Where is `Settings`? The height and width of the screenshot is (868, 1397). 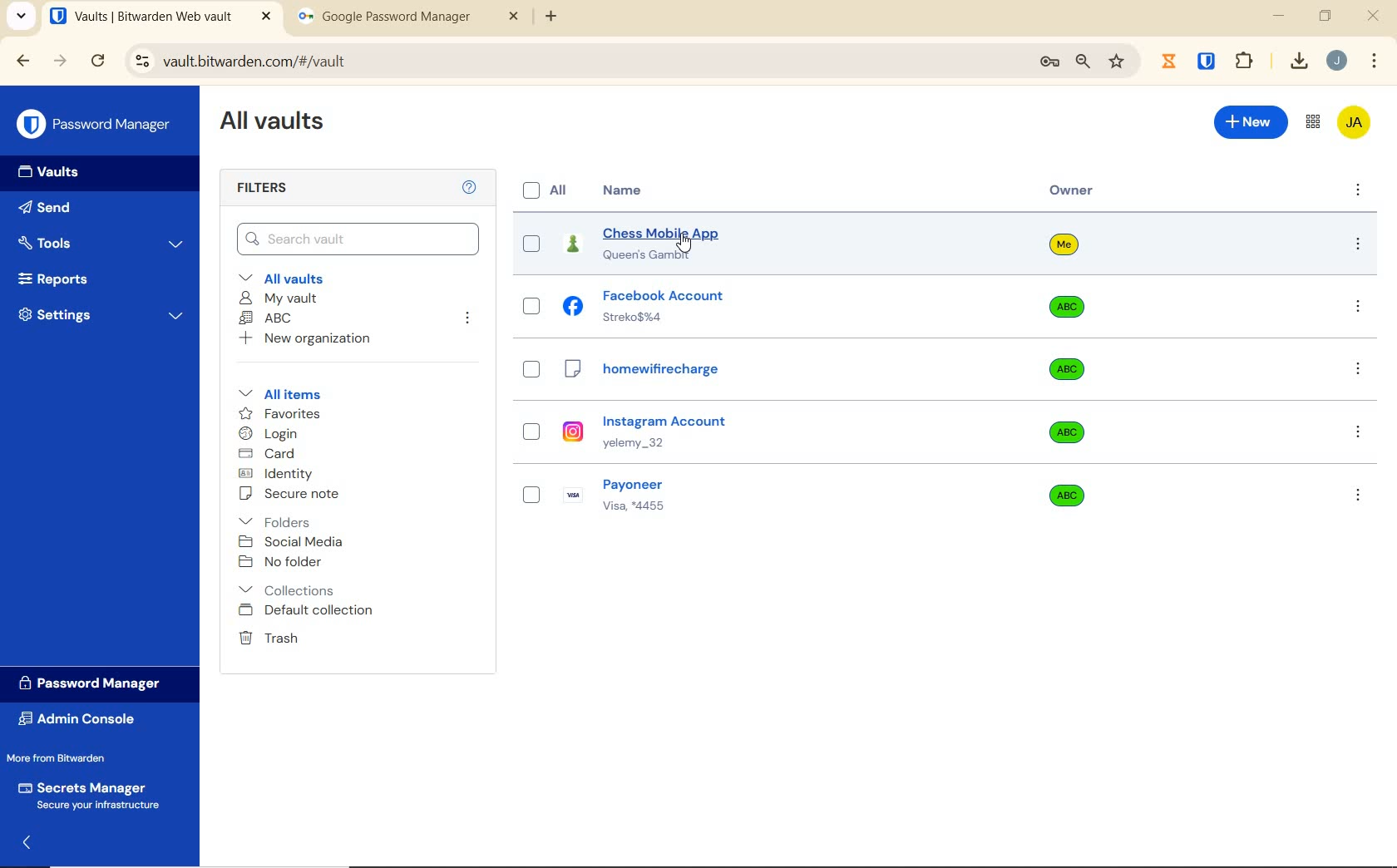
Settings is located at coordinates (104, 316).